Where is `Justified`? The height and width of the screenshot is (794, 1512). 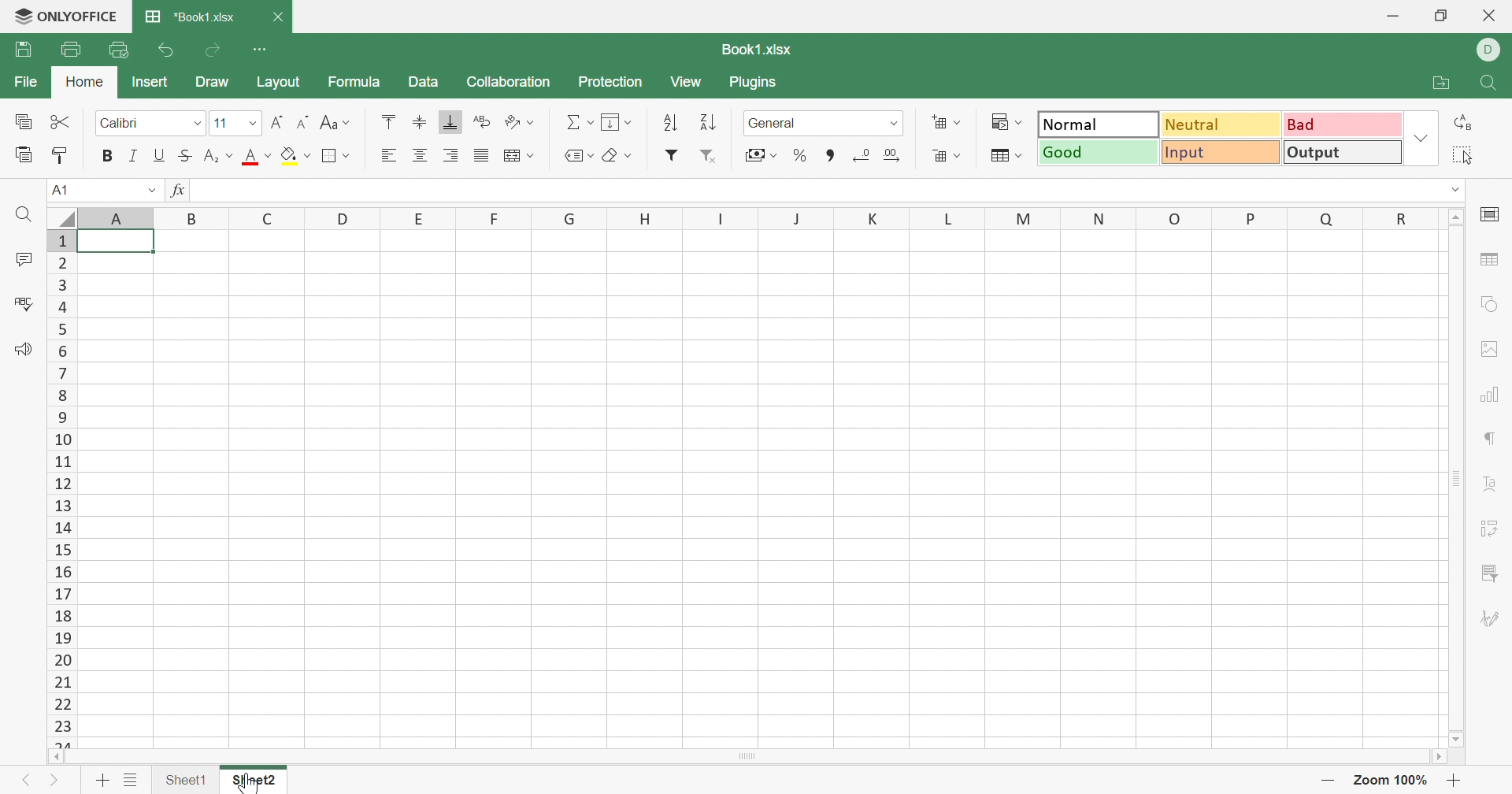
Justified is located at coordinates (480, 157).